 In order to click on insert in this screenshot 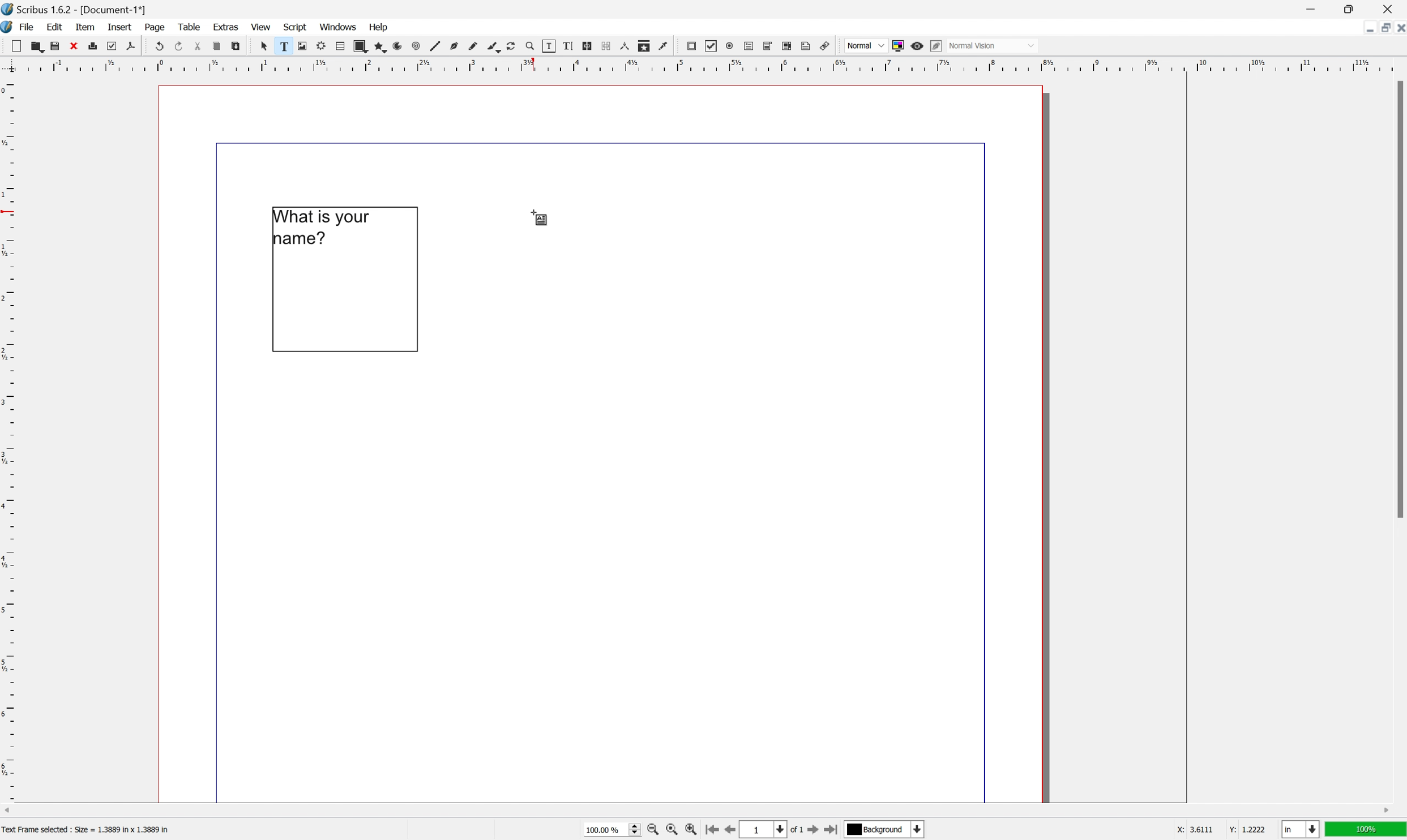, I will do `click(119, 25)`.